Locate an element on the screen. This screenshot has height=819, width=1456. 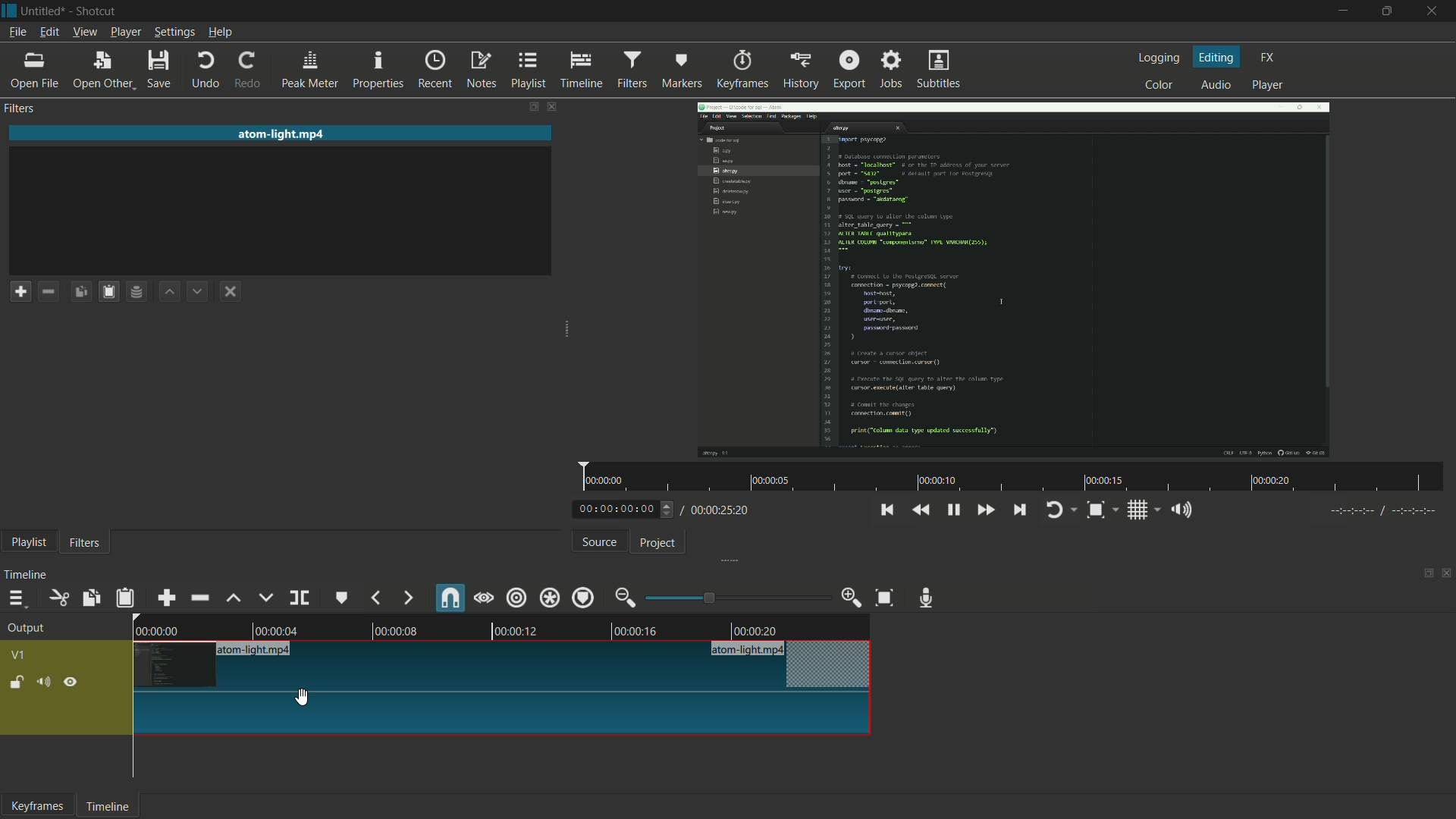
paste is located at coordinates (124, 598).